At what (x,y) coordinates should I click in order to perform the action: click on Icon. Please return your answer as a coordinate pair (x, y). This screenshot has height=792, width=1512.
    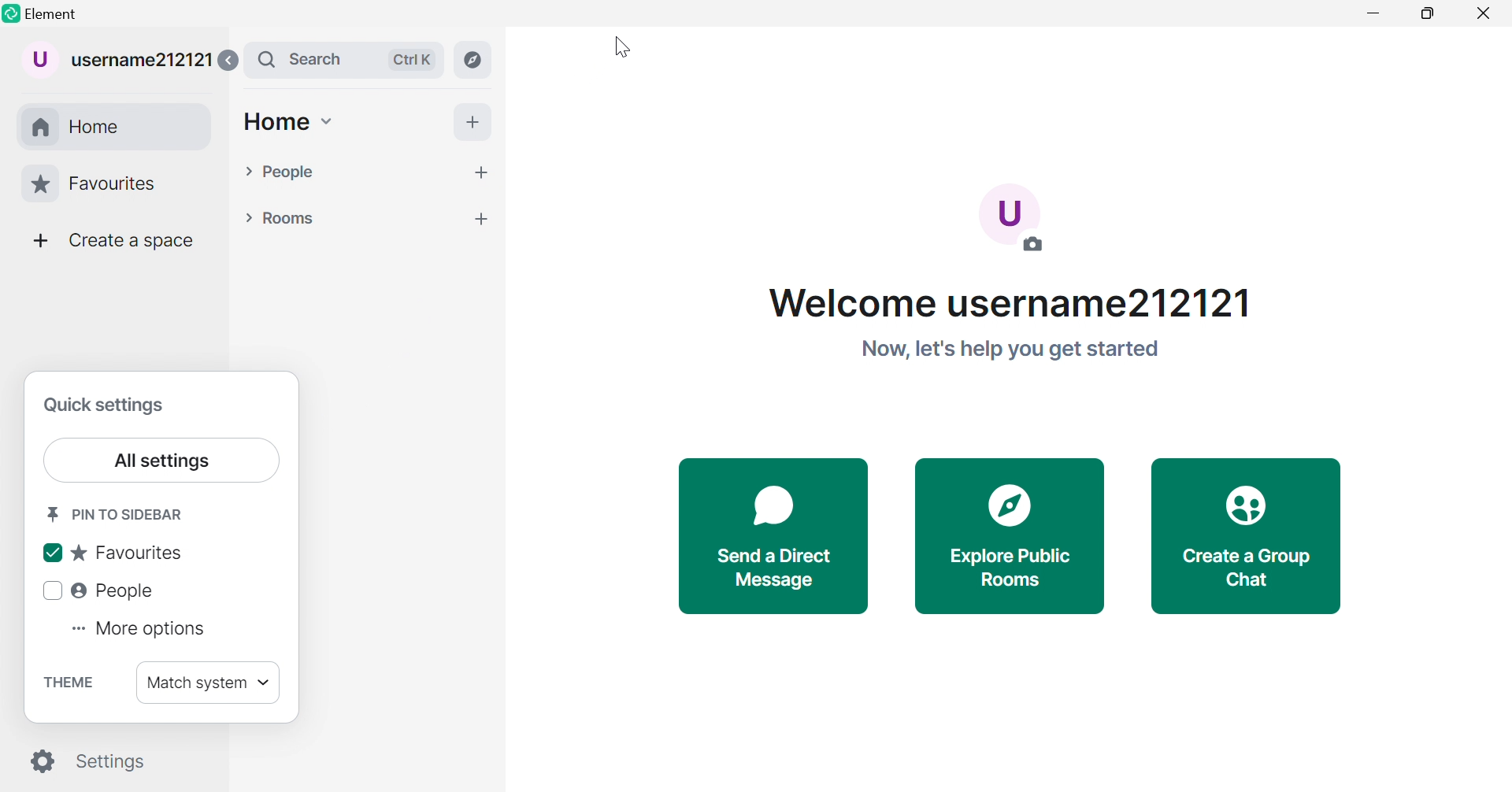
    Looking at the image, I should click on (773, 509).